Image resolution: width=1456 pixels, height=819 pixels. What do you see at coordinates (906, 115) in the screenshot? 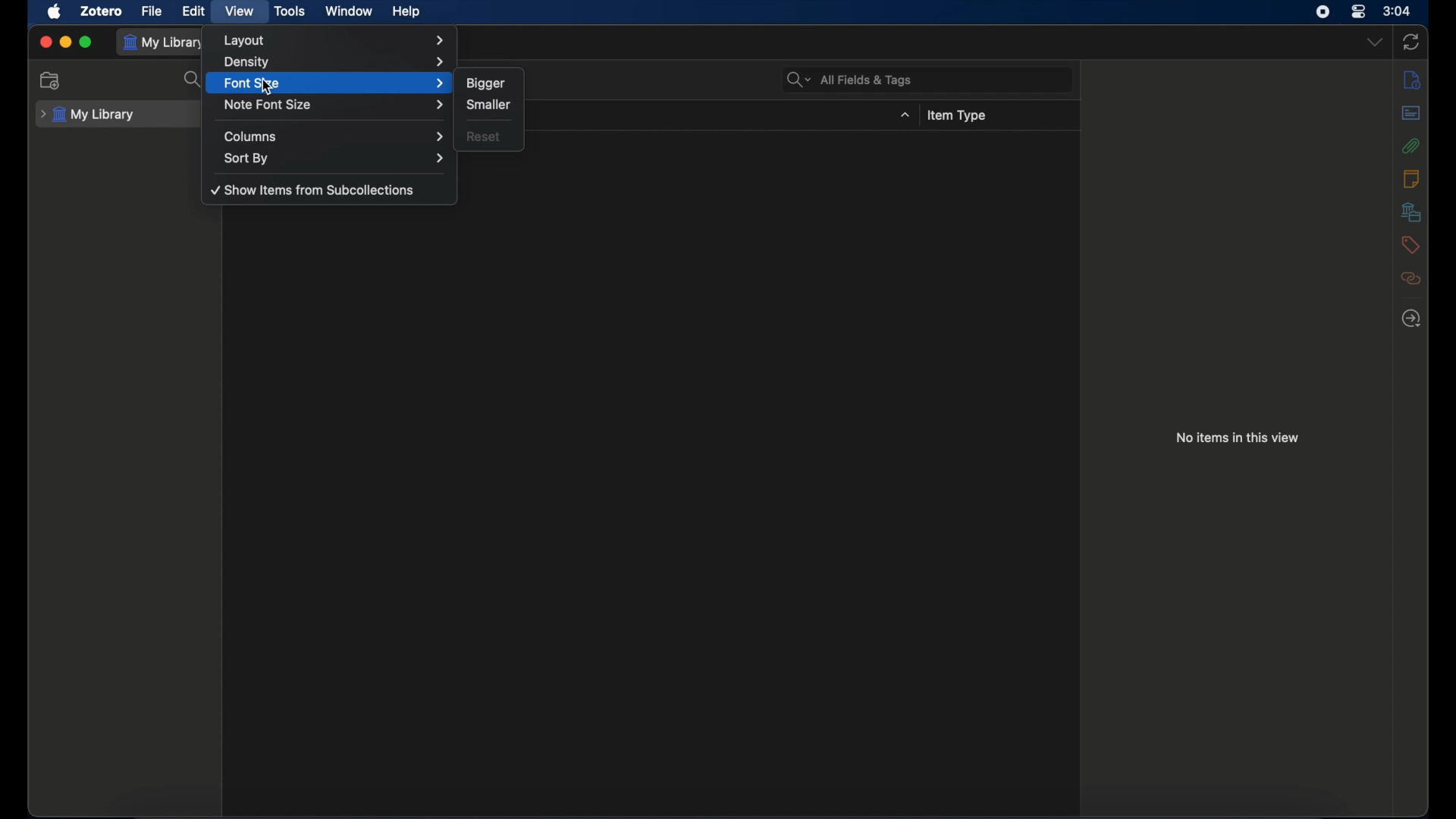
I see `dropdown` at bounding box center [906, 115].